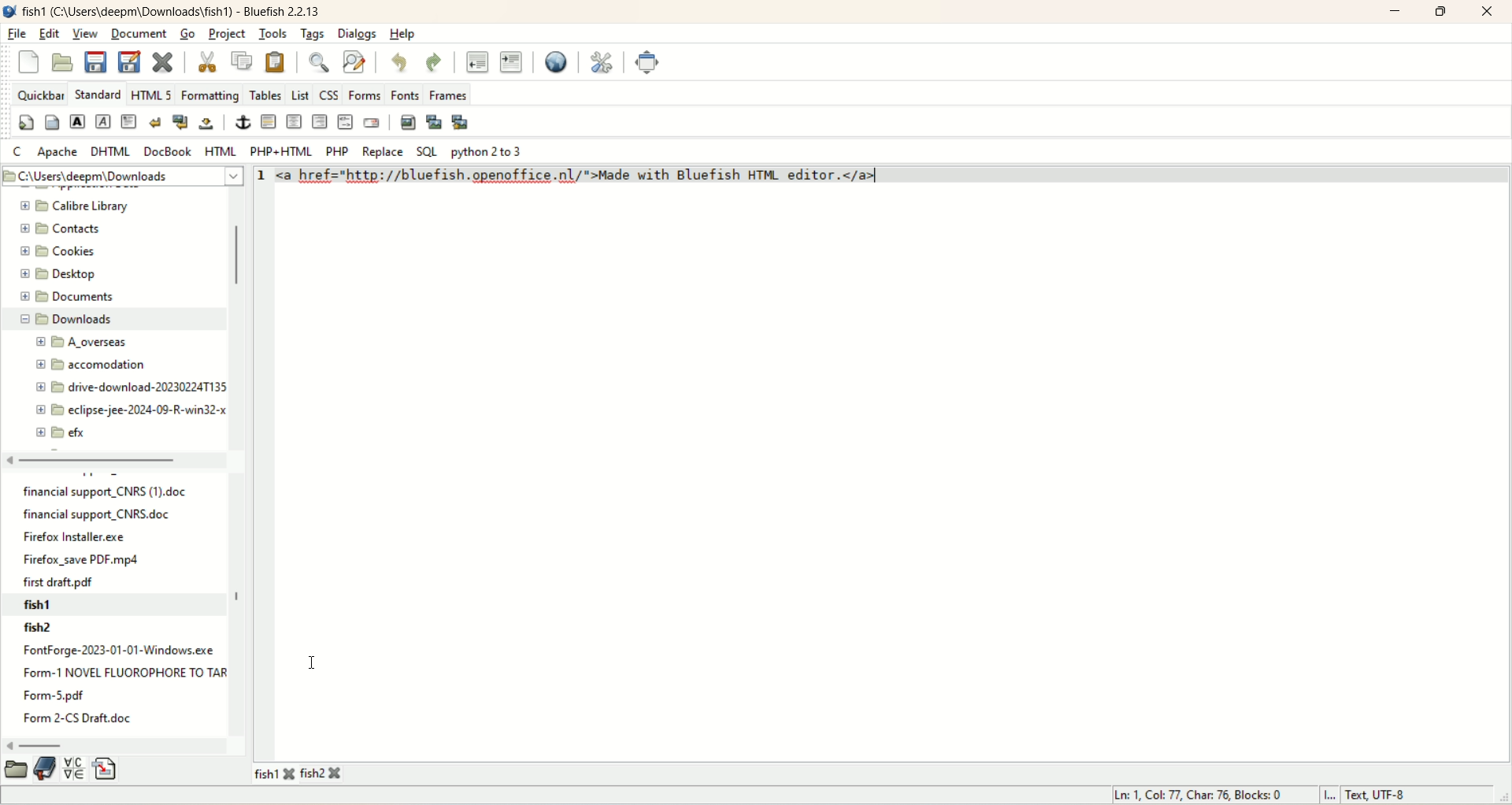 The width and height of the screenshot is (1512, 805). Describe the element at coordinates (73, 768) in the screenshot. I see `insert character` at that location.